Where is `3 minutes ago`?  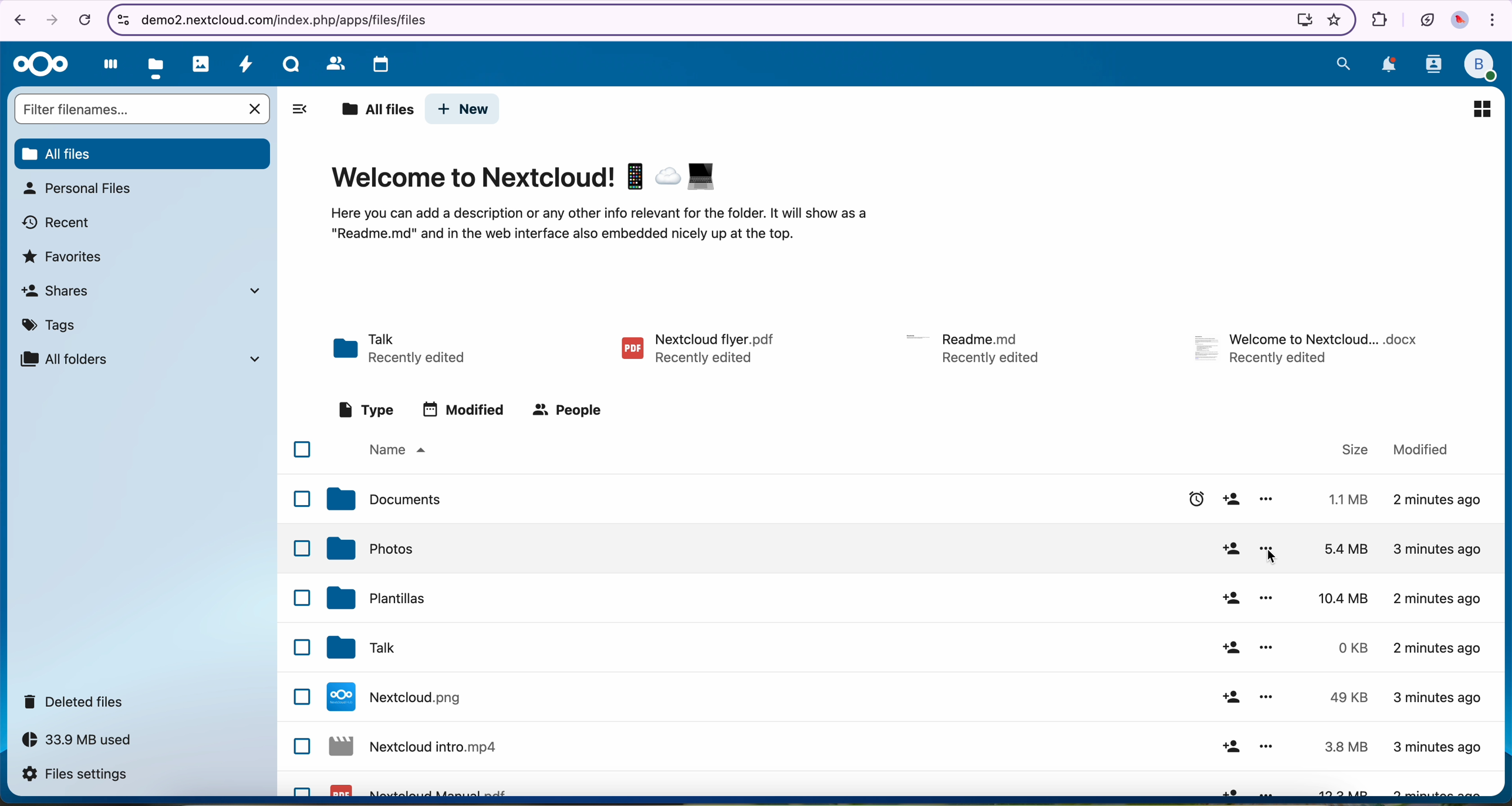
3 minutes ago is located at coordinates (1435, 790).